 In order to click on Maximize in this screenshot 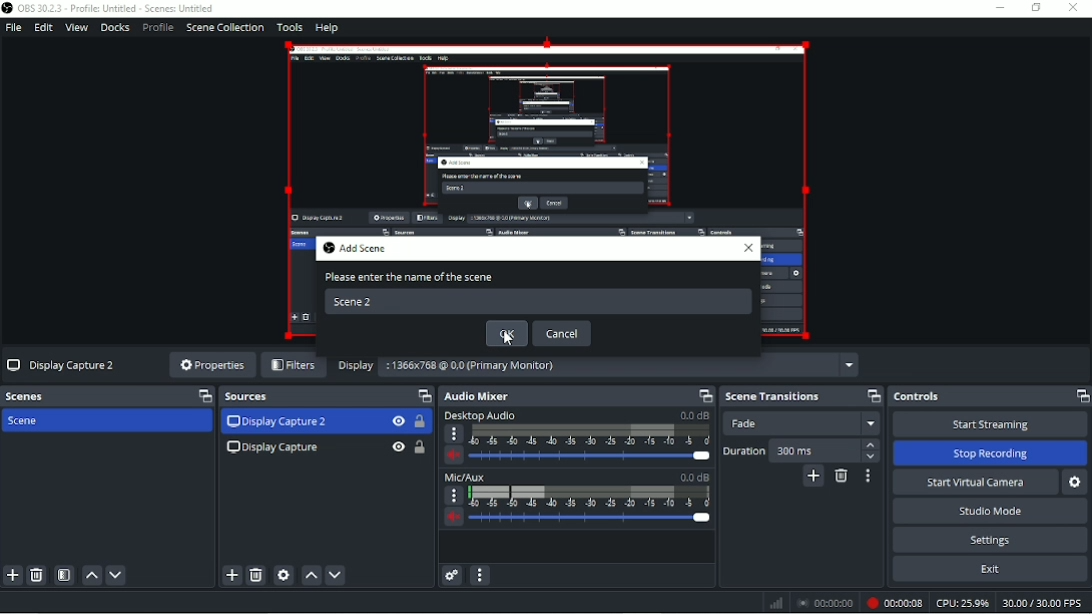, I will do `click(202, 396)`.